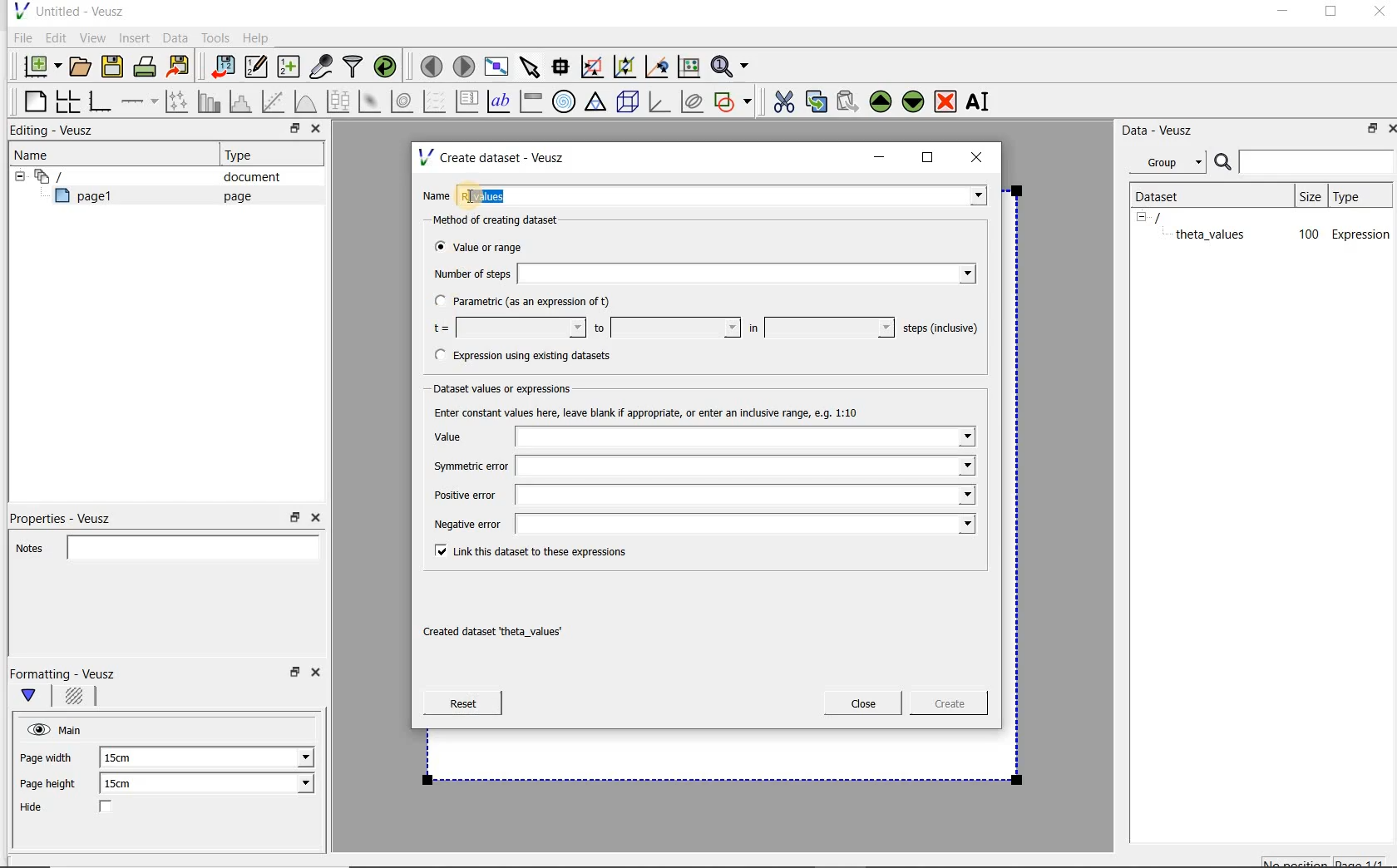 The image size is (1397, 868). What do you see at coordinates (1331, 14) in the screenshot?
I see `maximize` at bounding box center [1331, 14].